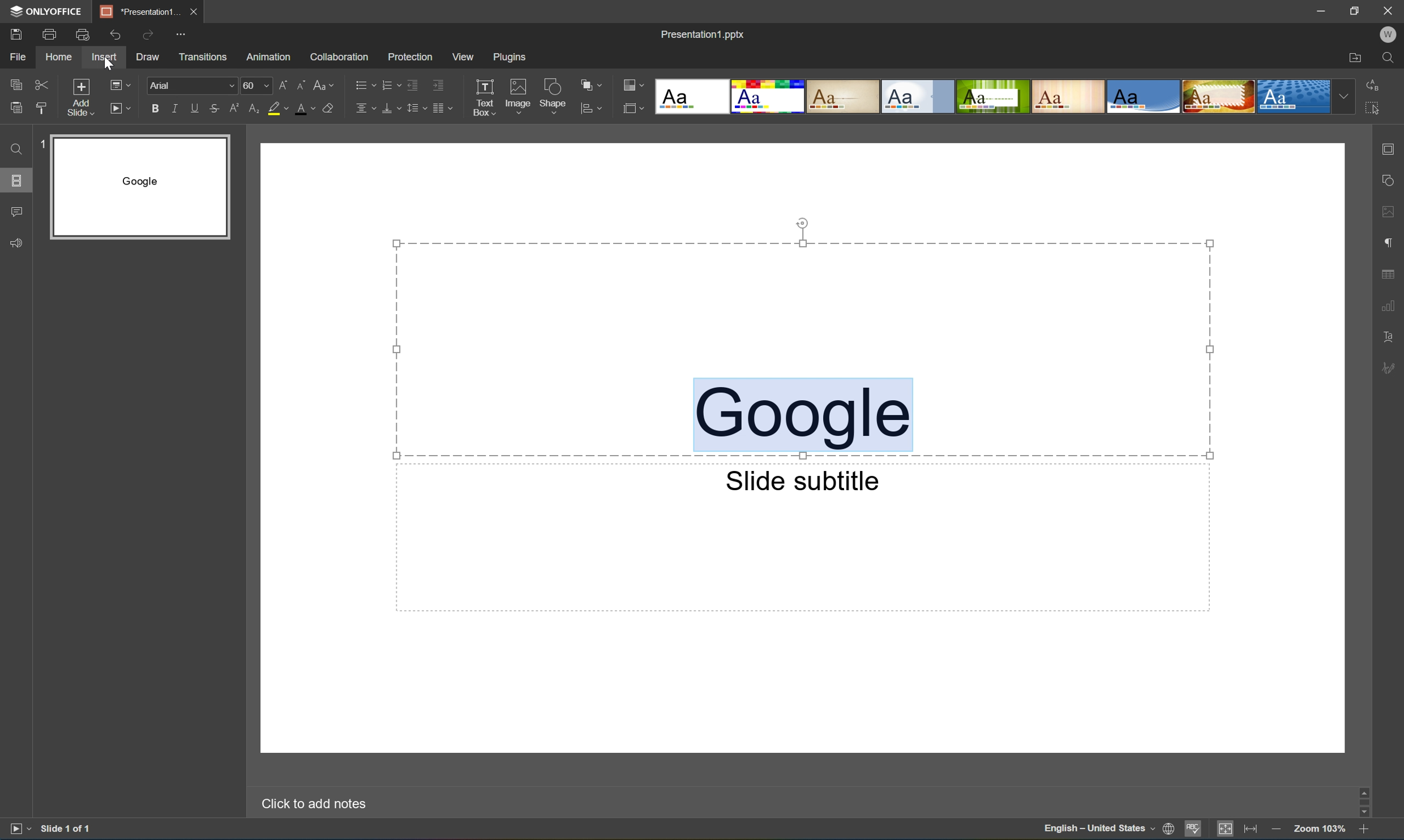  I want to click on Shape settings, so click(1390, 181).